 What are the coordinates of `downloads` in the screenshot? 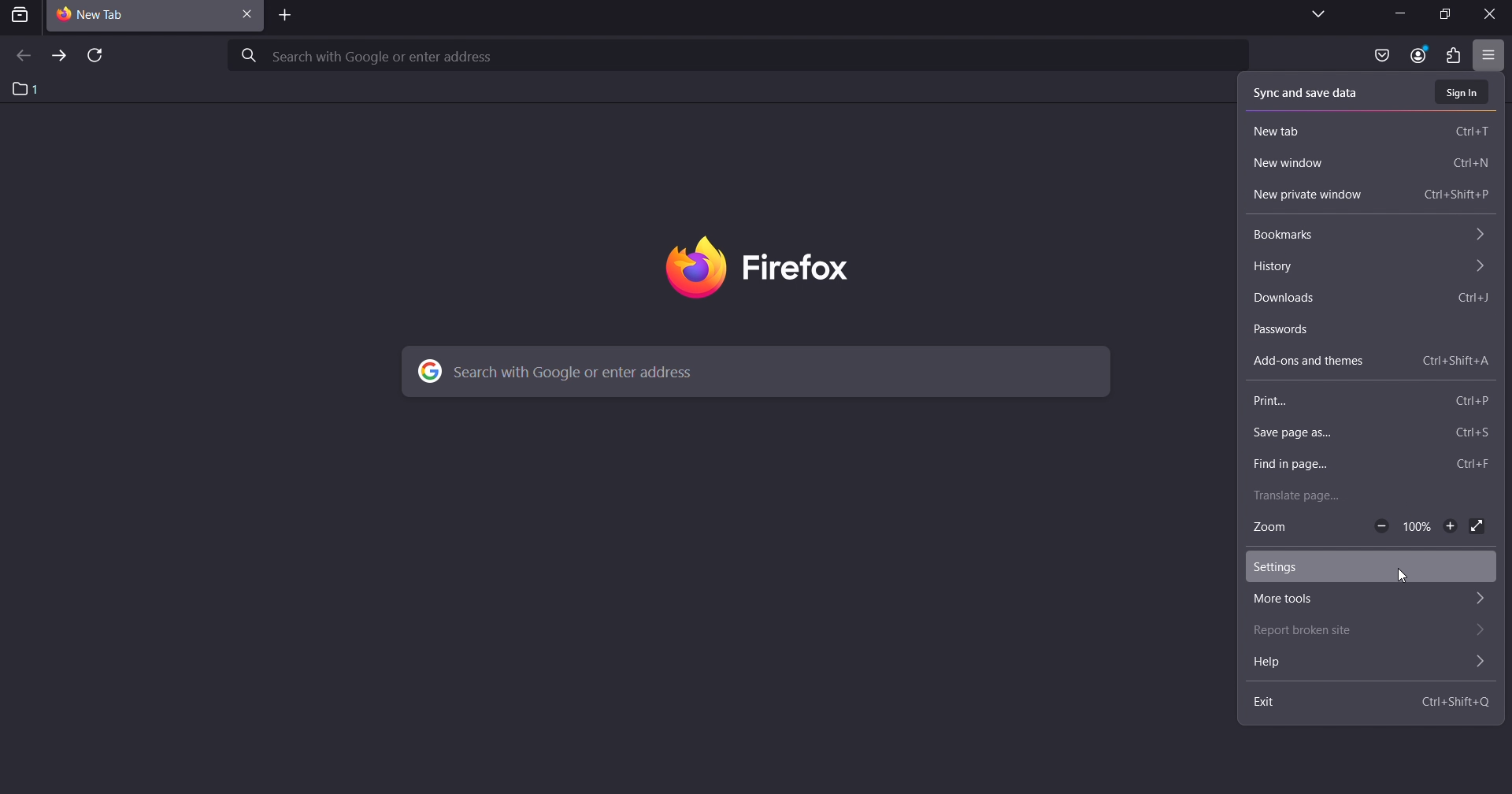 It's located at (1372, 299).